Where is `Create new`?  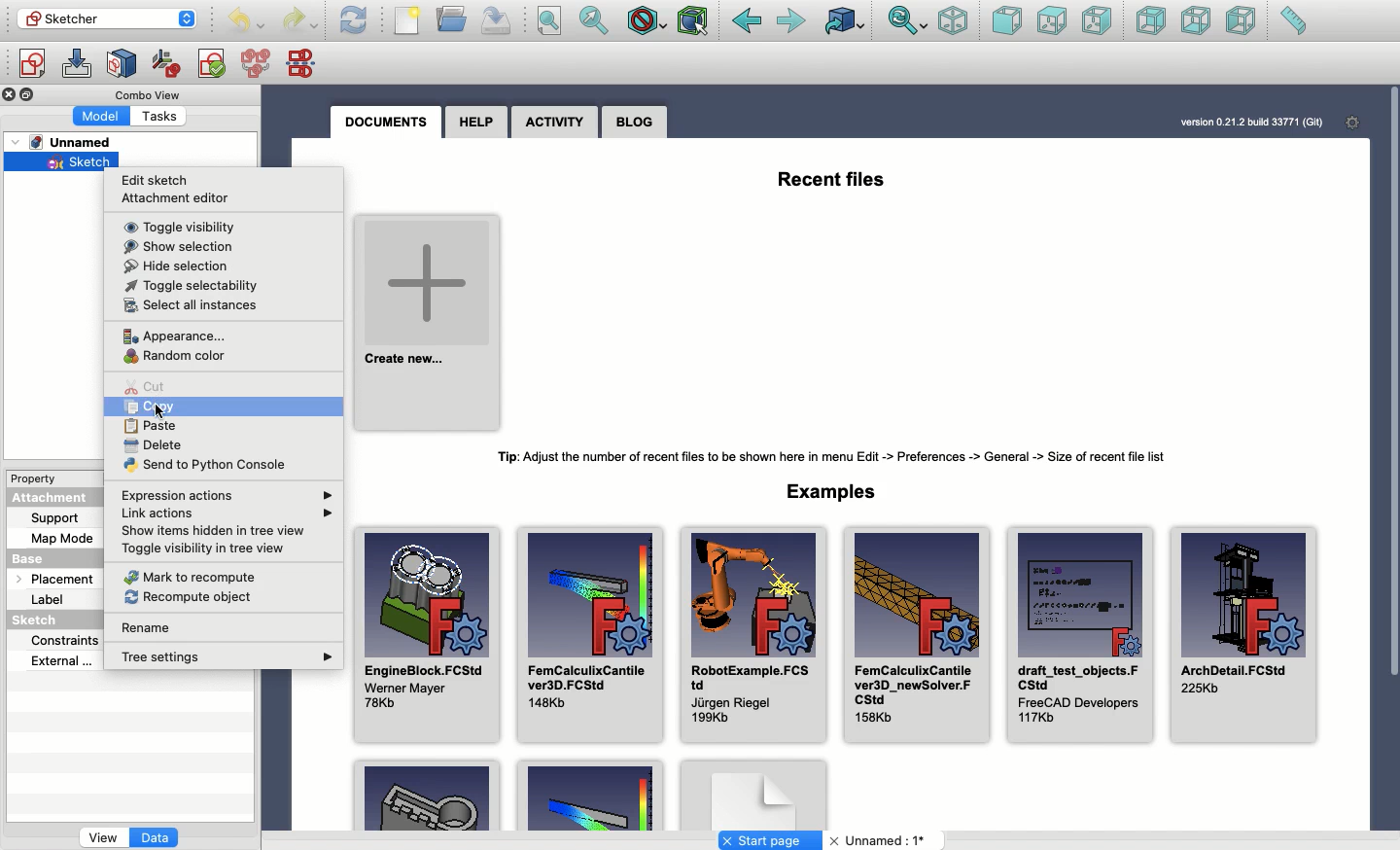
Create new is located at coordinates (429, 318).